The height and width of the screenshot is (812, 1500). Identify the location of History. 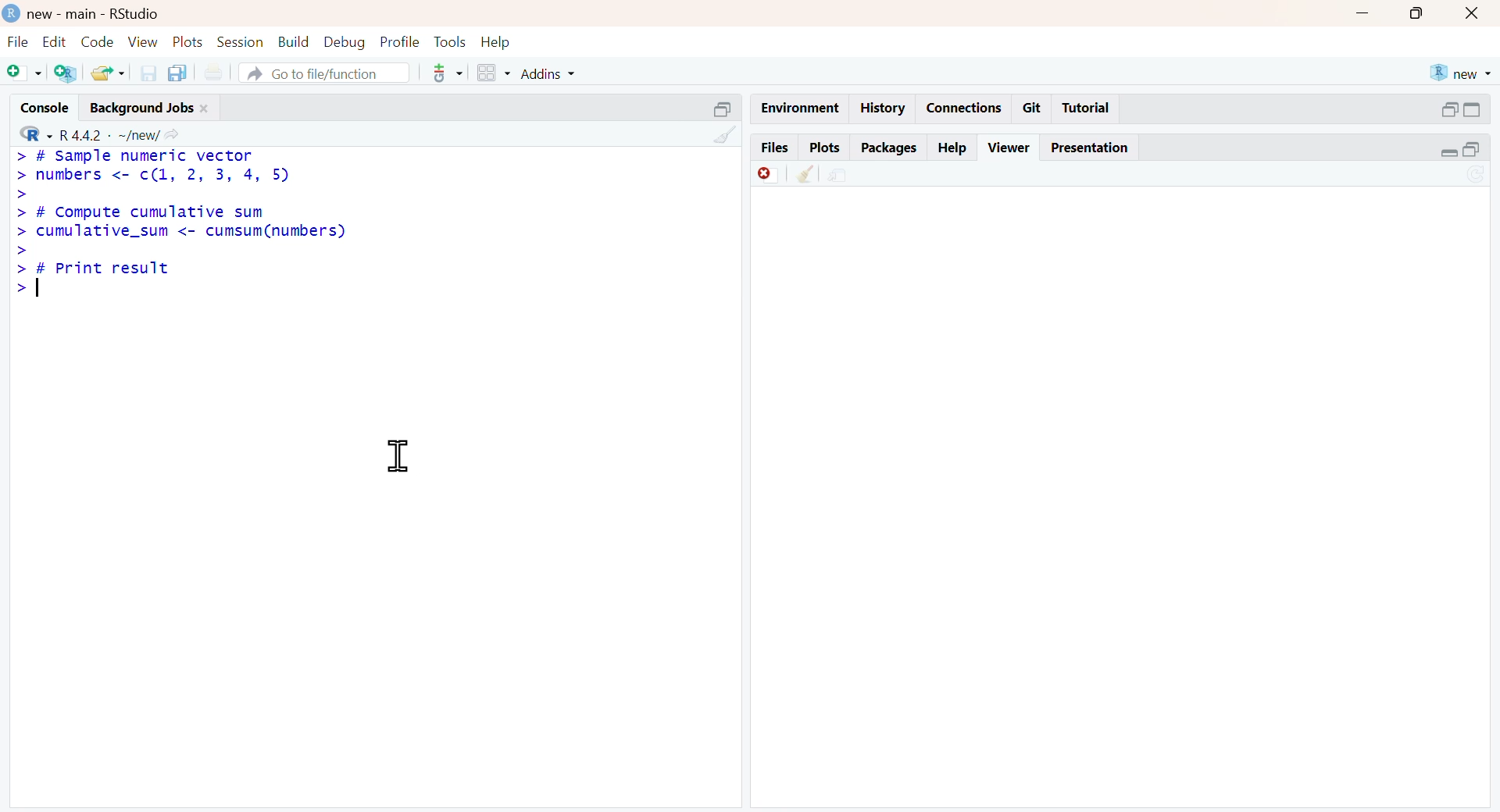
(883, 108).